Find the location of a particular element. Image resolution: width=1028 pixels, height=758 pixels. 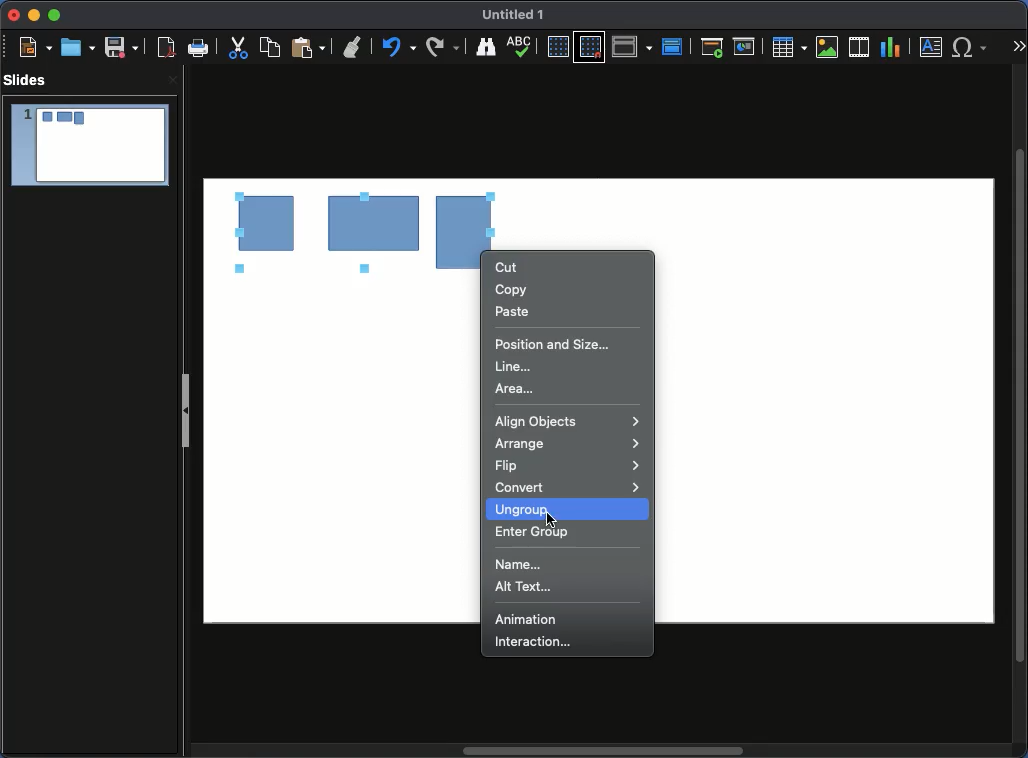

Alt text is located at coordinates (527, 589).